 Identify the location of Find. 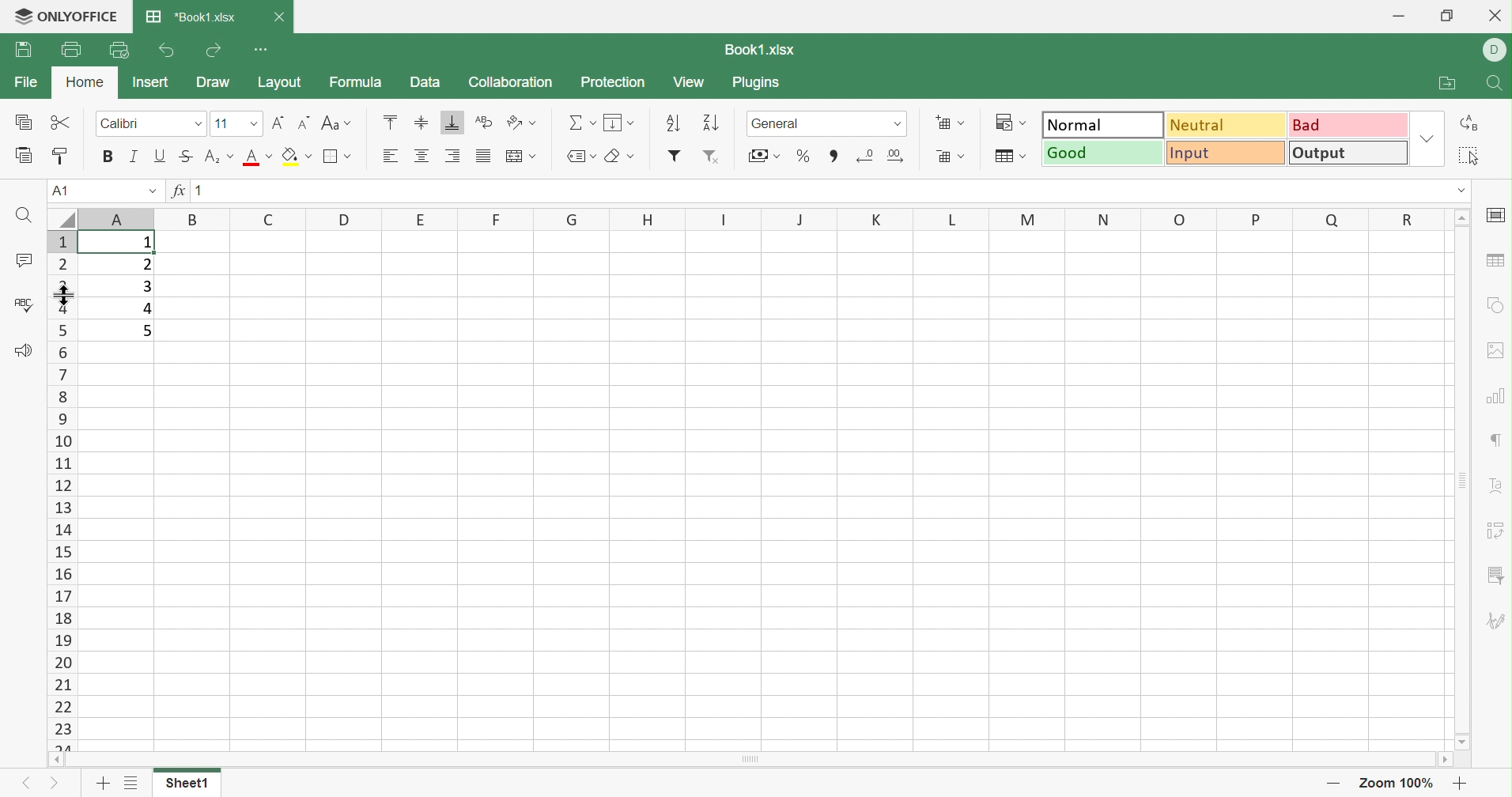
(1497, 83).